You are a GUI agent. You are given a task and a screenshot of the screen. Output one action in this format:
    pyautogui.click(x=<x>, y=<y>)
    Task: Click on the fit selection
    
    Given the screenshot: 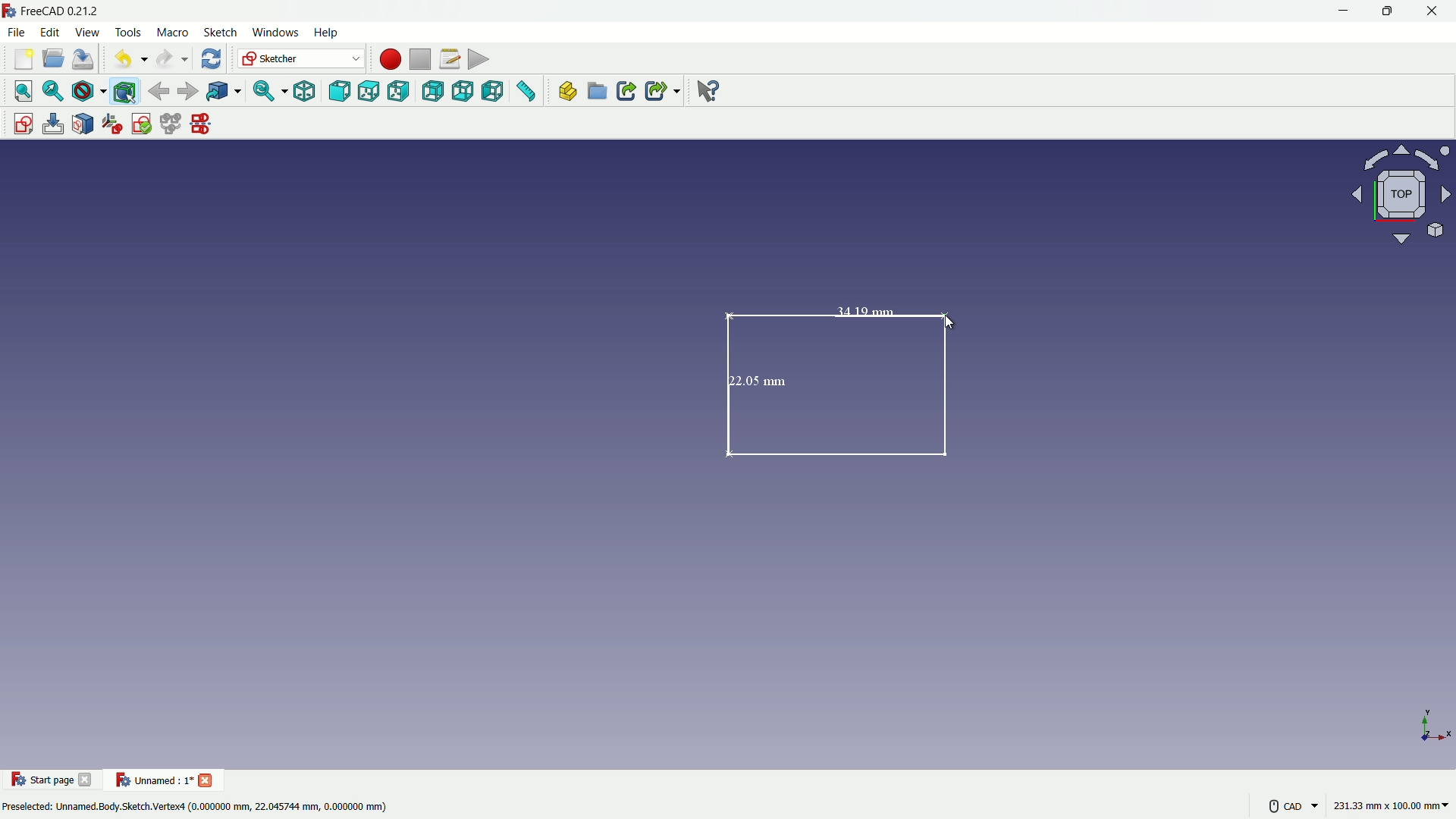 What is the action you would take?
    pyautogui.click(x=52, y=91)
    